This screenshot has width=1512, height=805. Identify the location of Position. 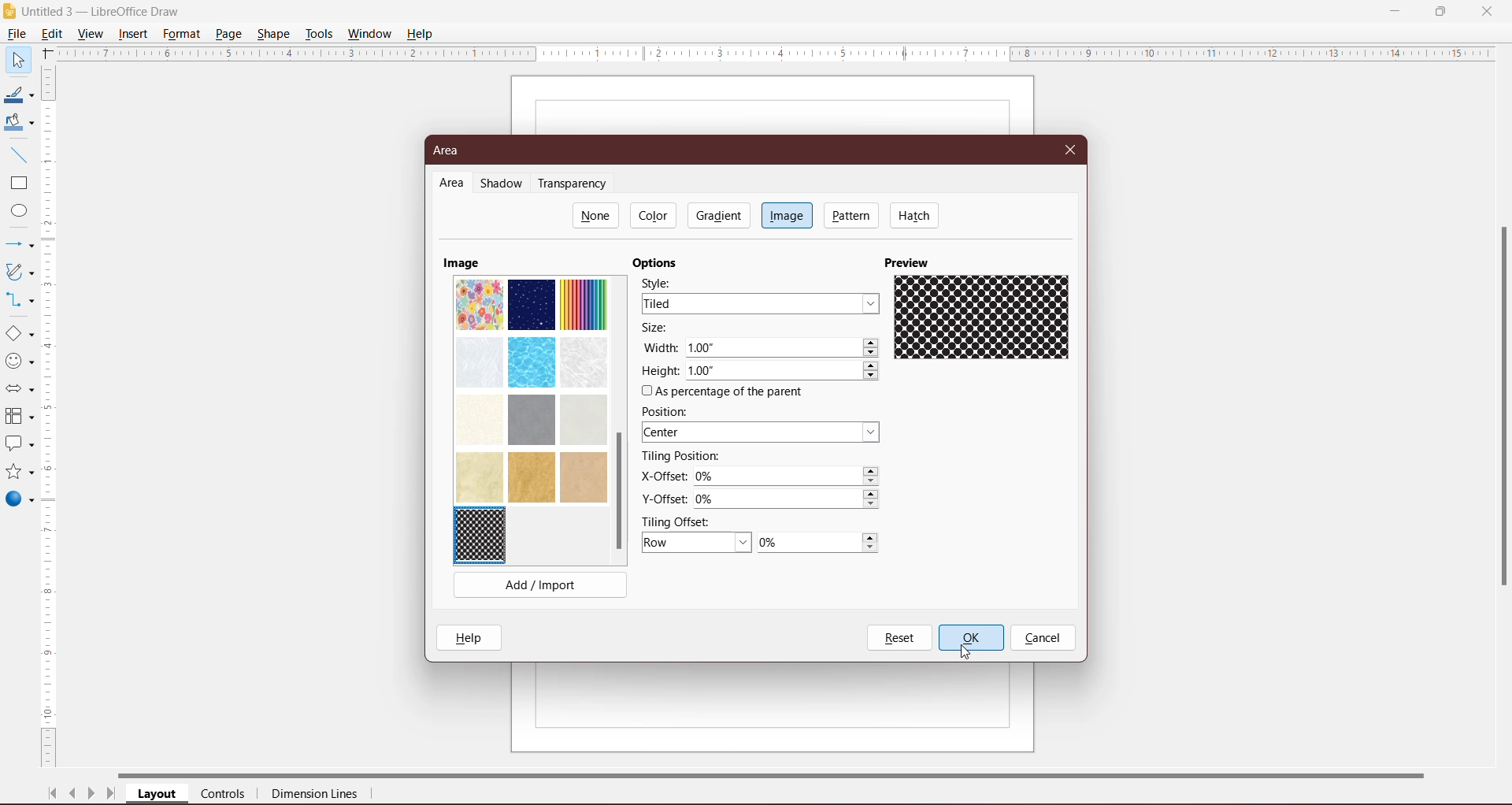
(669, 411).